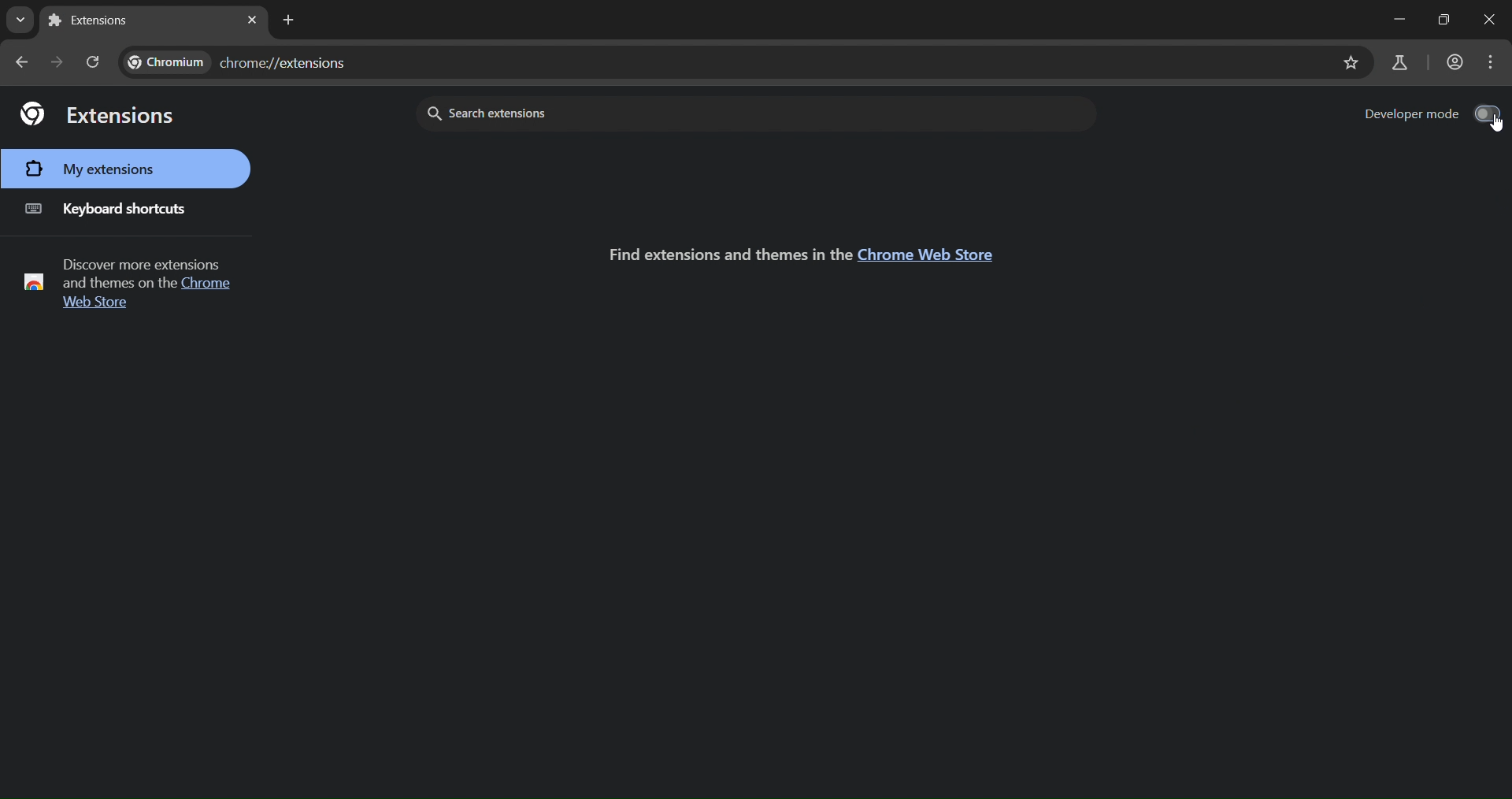 The height and width of the screenshot is (799, 1512). What do you see at coordinates (1484, 20) in the screenshot?
I see `close` at bounding box center [1484, 20].